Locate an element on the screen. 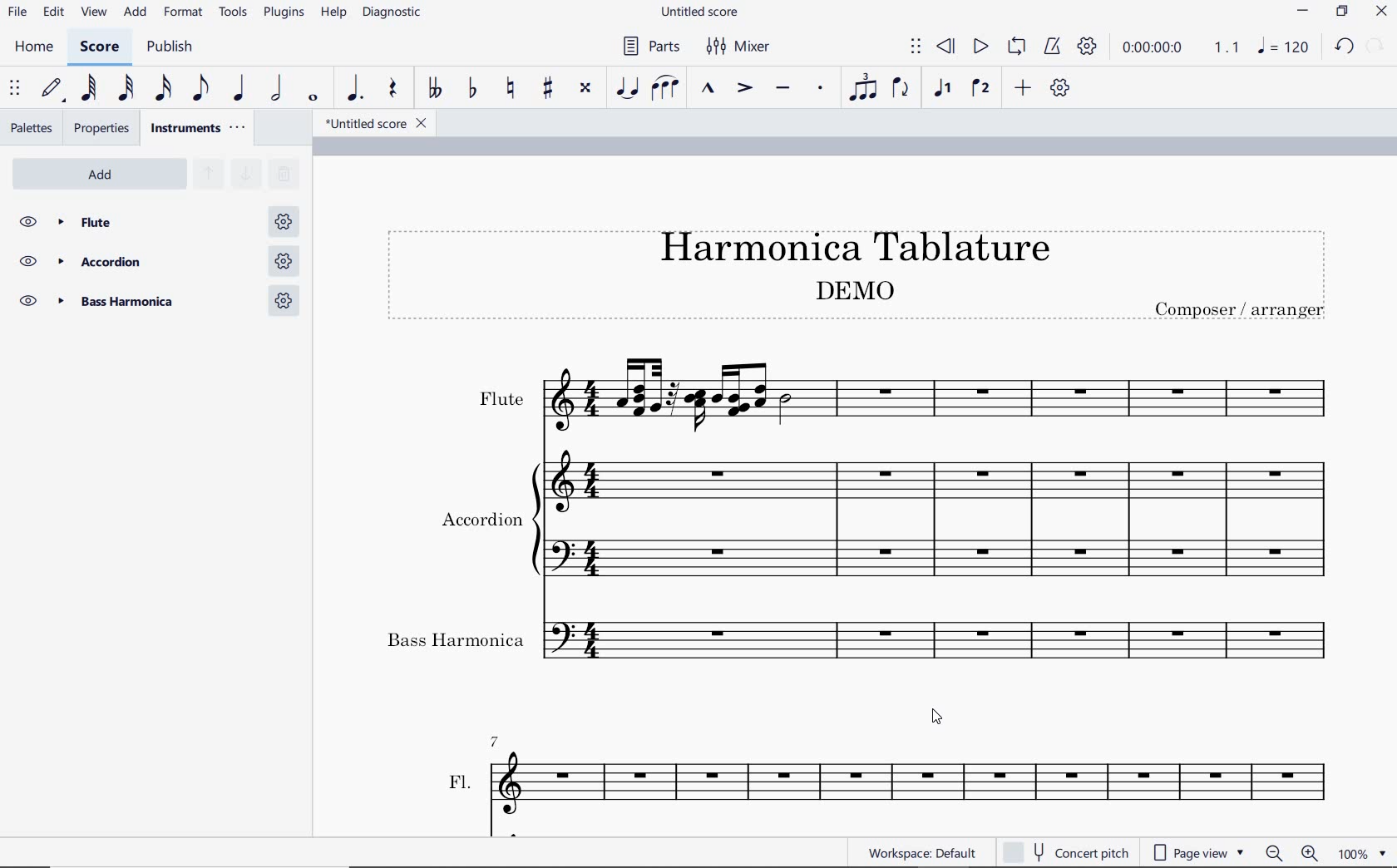 The width and height of the screenshot is (1397, 868). select to move is located at coordinates (916, 47).